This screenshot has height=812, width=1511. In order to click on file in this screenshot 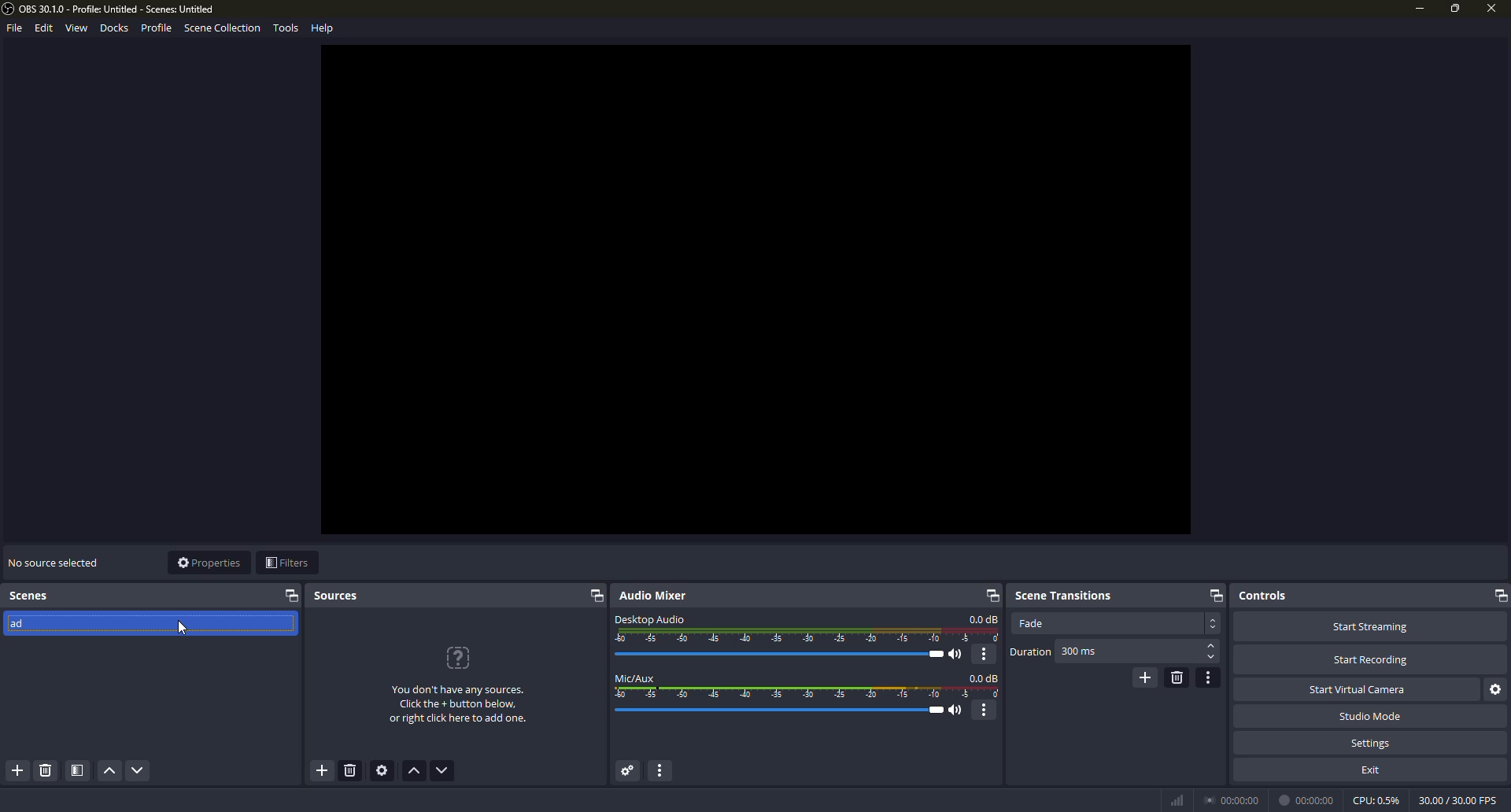, I will do `click(13, 30)`.